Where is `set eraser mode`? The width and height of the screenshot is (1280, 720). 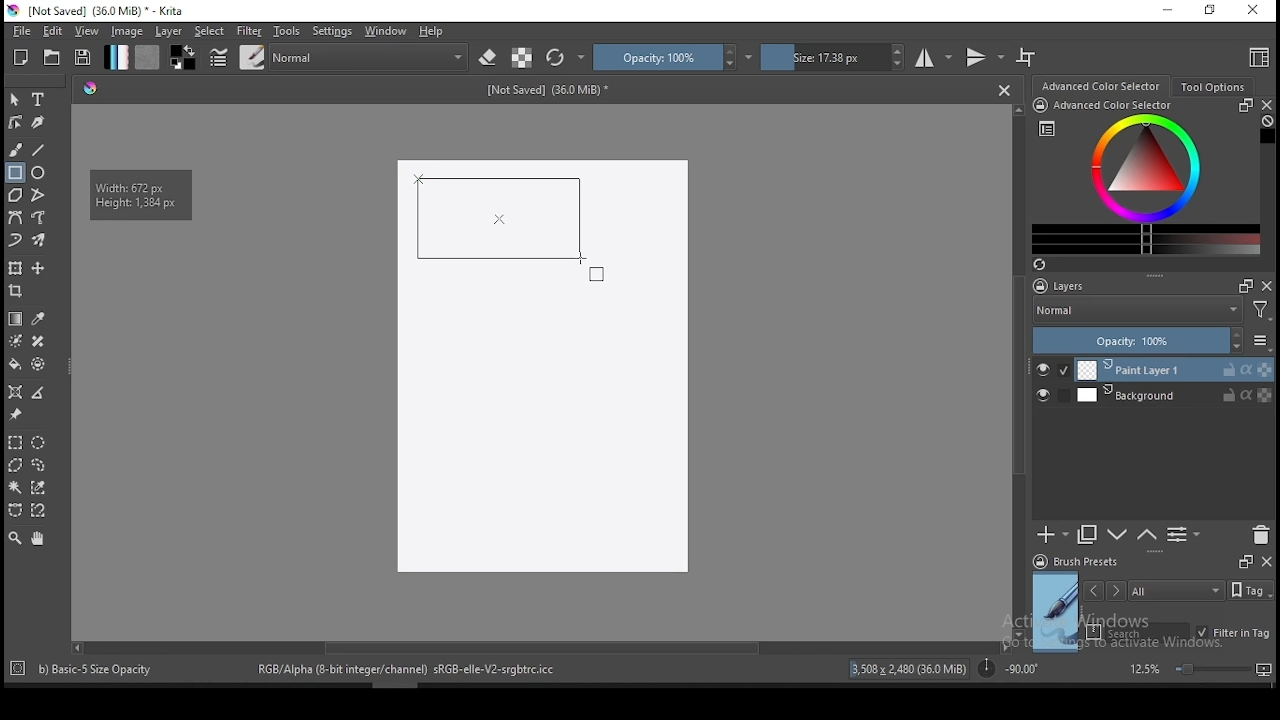
set eraser mode is located at coordinates (490, 58).